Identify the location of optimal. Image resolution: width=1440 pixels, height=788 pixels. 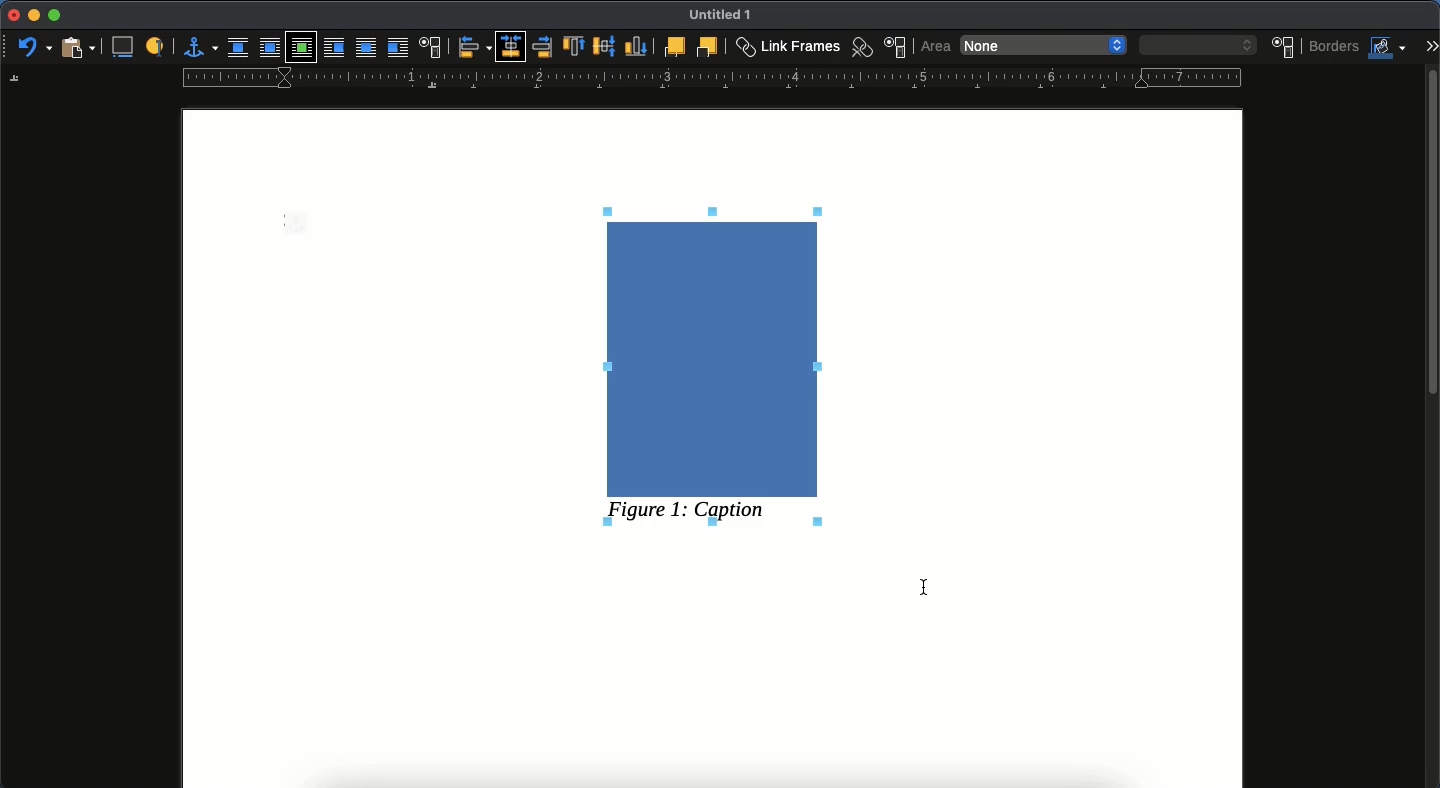
(302, 46).